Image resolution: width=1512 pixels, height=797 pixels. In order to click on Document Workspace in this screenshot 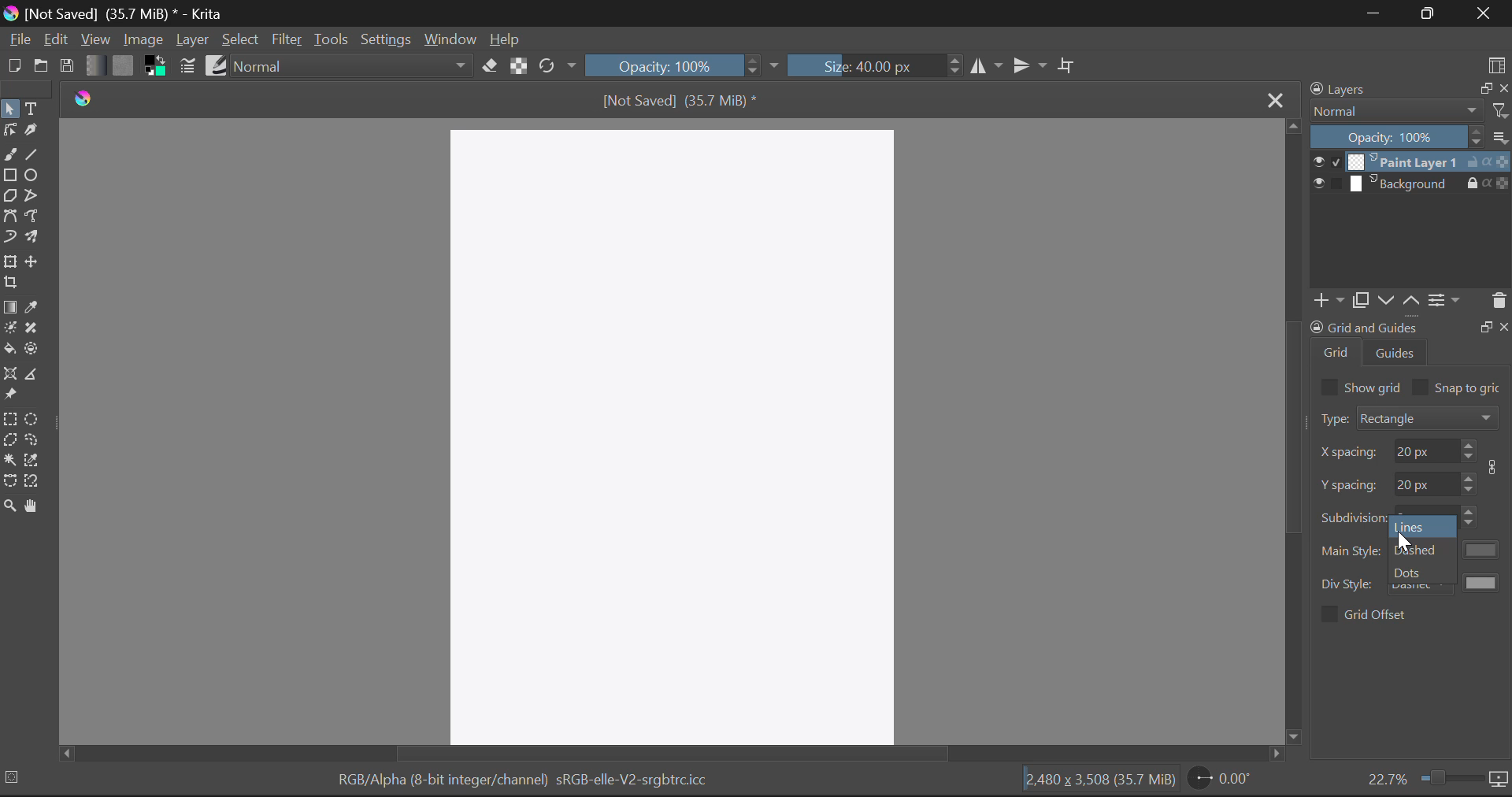, I will do `click(676, 434)`.